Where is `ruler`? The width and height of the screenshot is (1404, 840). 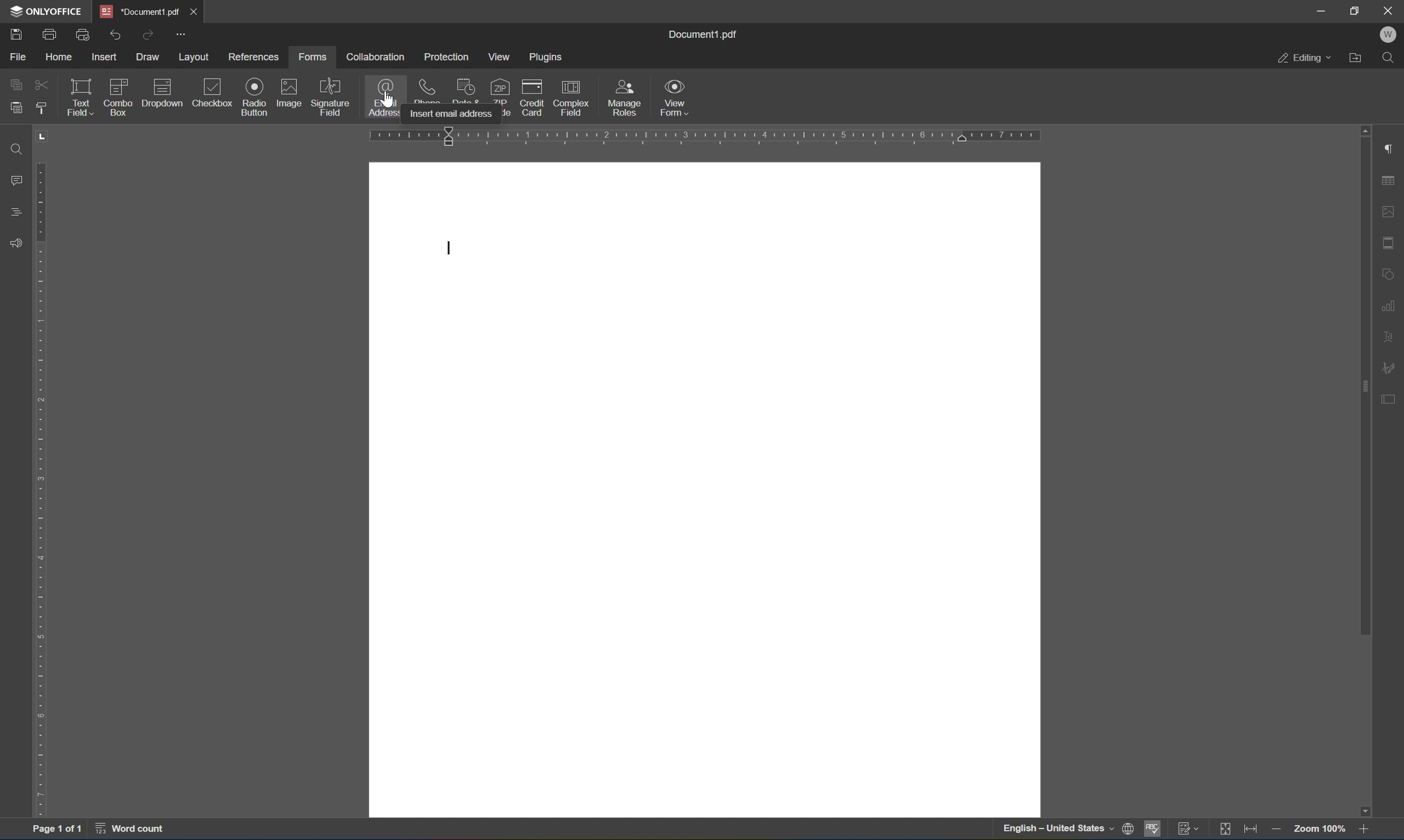
ruler is located at coordinates (46, 472).